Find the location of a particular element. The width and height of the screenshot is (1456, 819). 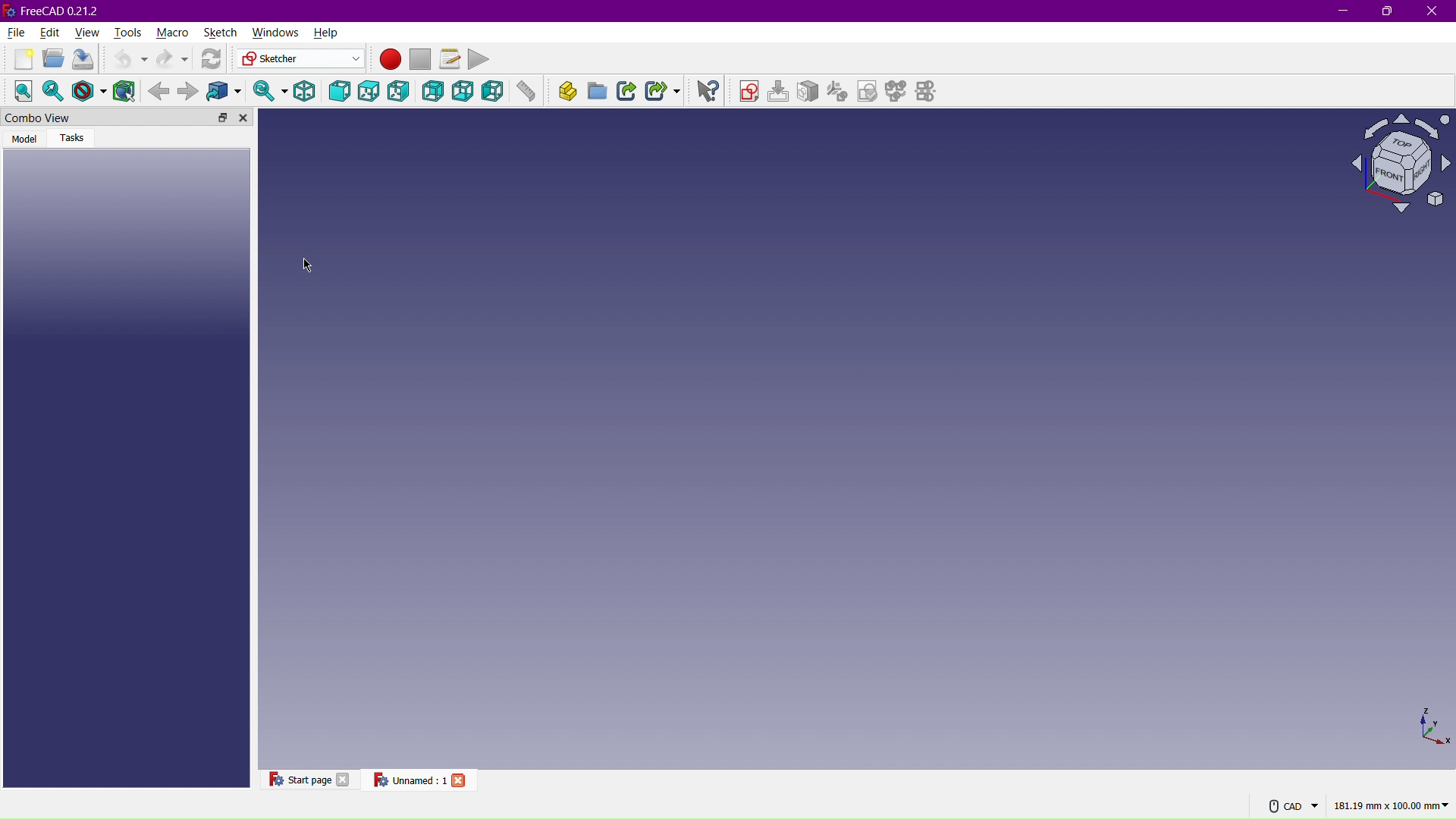

Open is located at coordinates (55, 58).